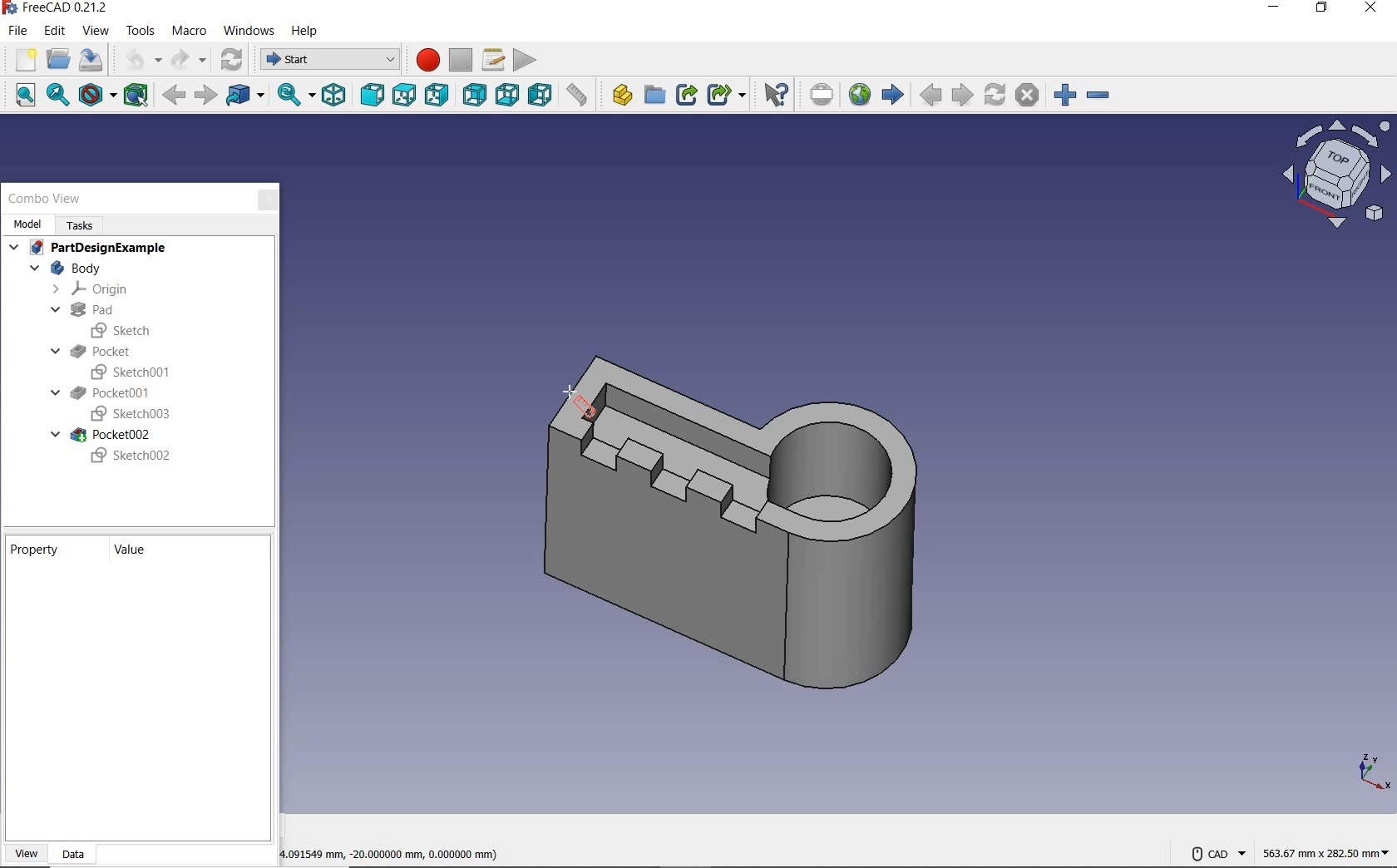 The width and height of the screenshot is (1397, 868). What do you see at coordinates (593, 423) in the screenshot?
I see `Distance tool at point A` at bounding box center [593, 423].